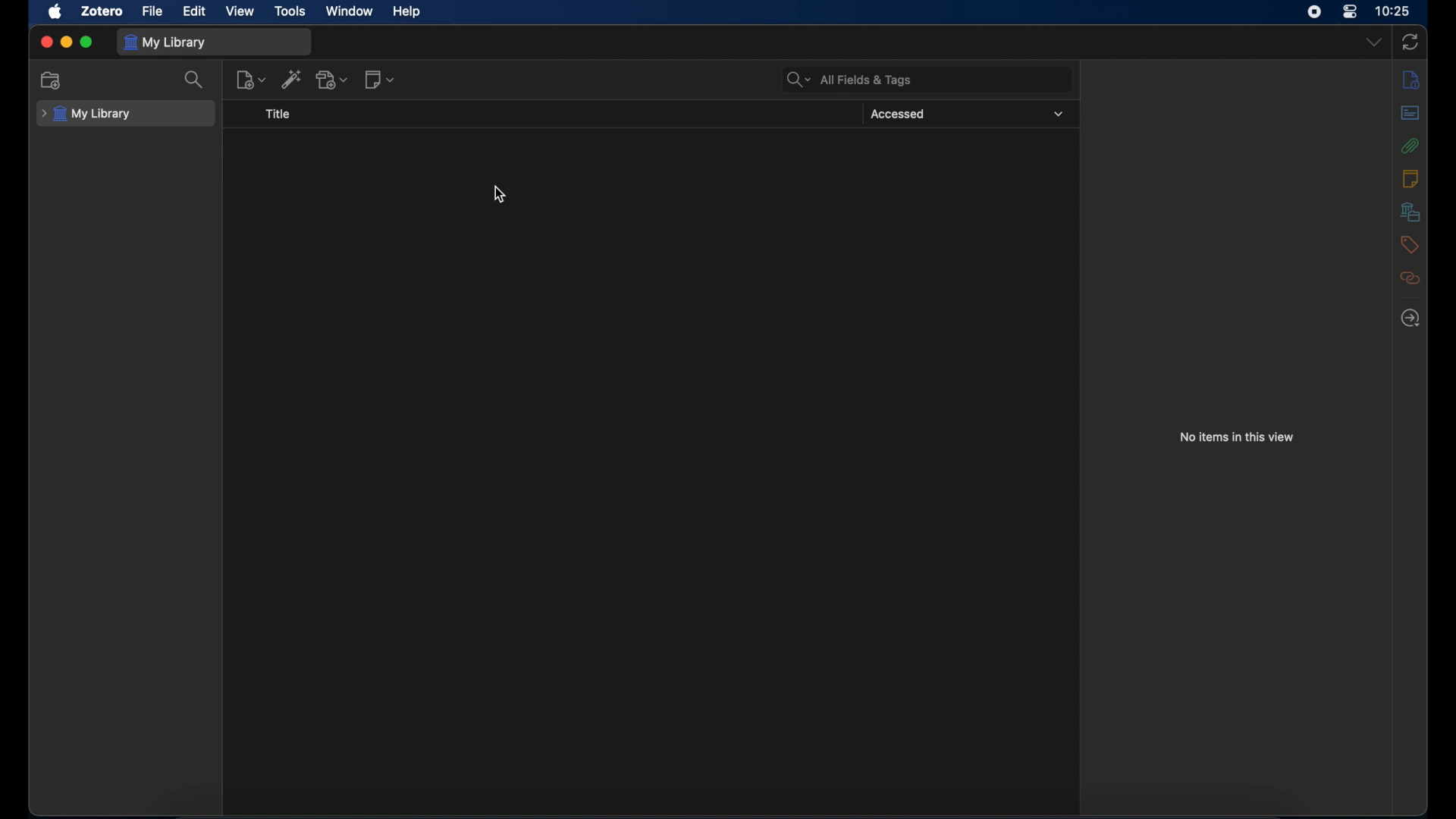 This screenshot has width=1456, height=819. What do you see at coordinates (65, 42) in the screenshot?
I see `minimize` at bounding box center [65, 42].